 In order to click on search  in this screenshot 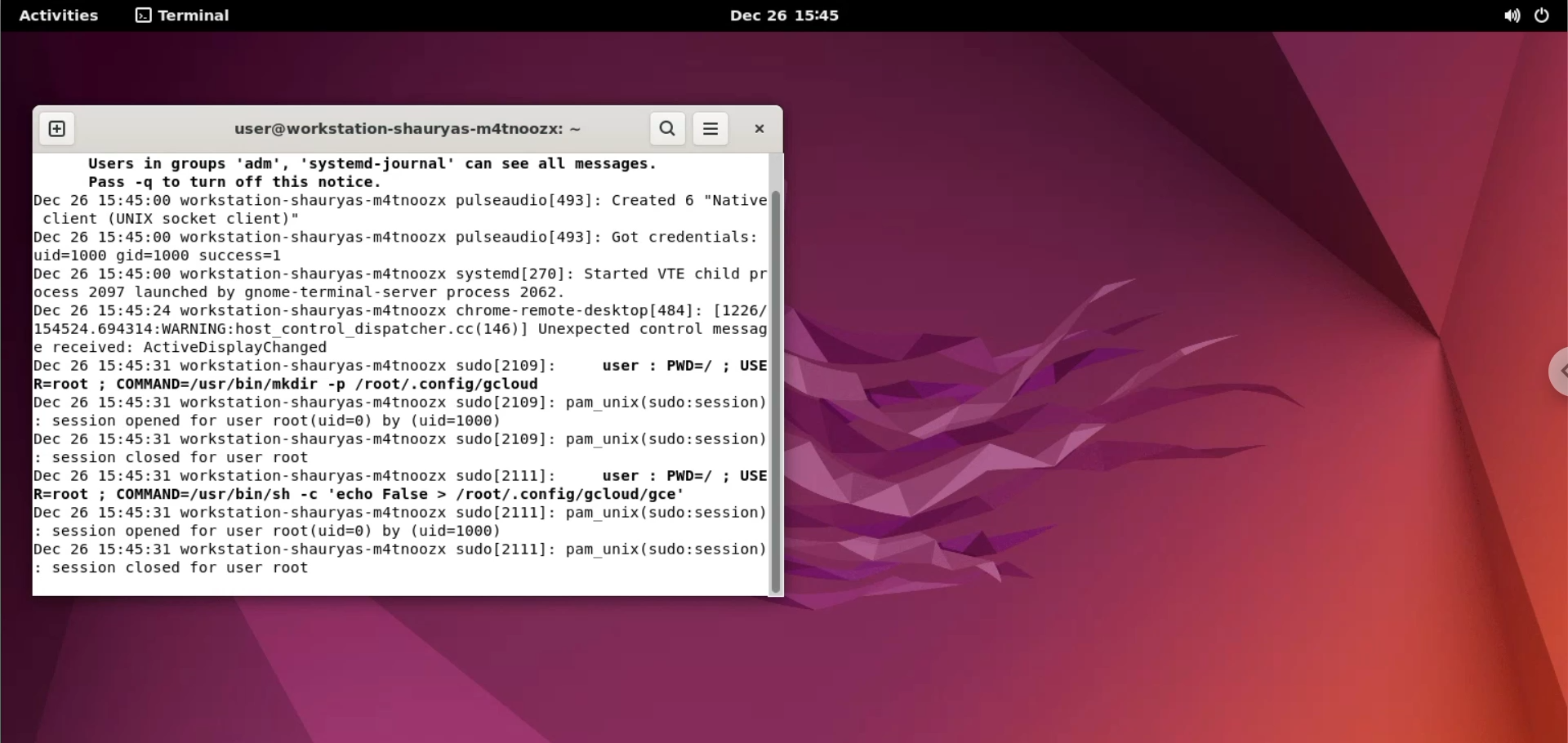, I will do `click(665, 130)`.